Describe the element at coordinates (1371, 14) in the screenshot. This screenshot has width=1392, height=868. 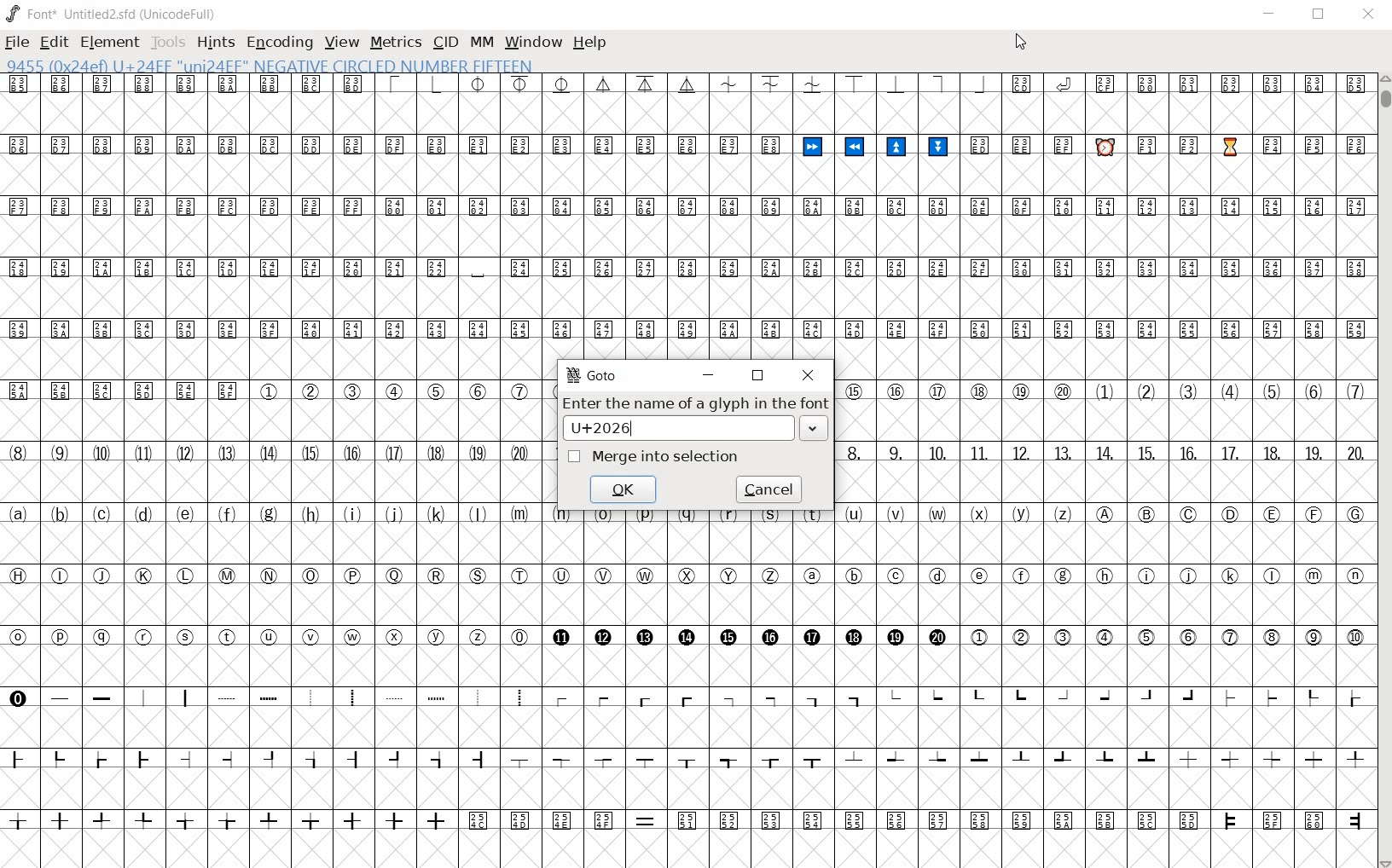
I see `CLOSE` at that location.